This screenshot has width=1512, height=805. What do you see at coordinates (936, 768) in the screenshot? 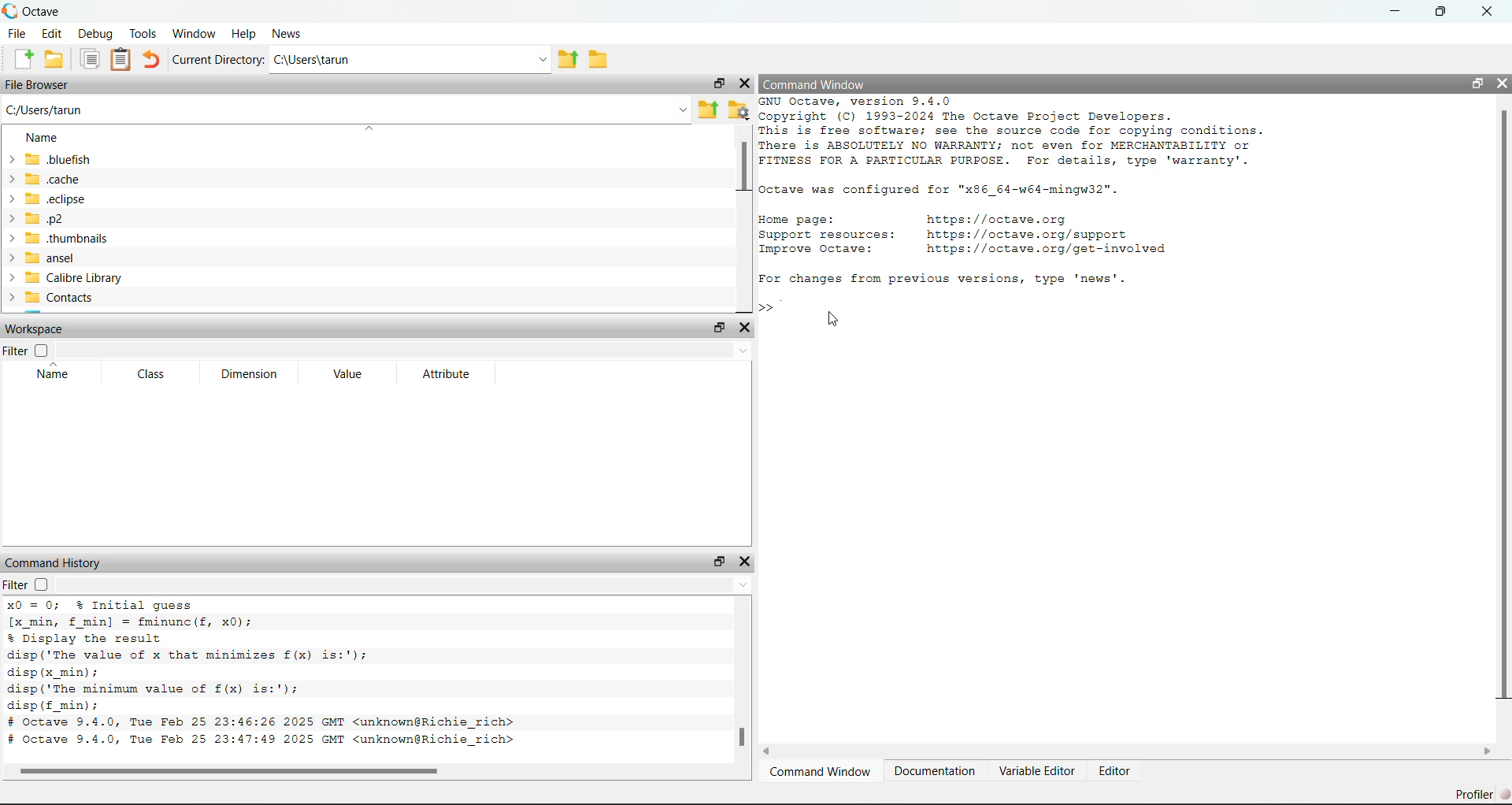
I see `Documentation` at bounding box center [936, 768].